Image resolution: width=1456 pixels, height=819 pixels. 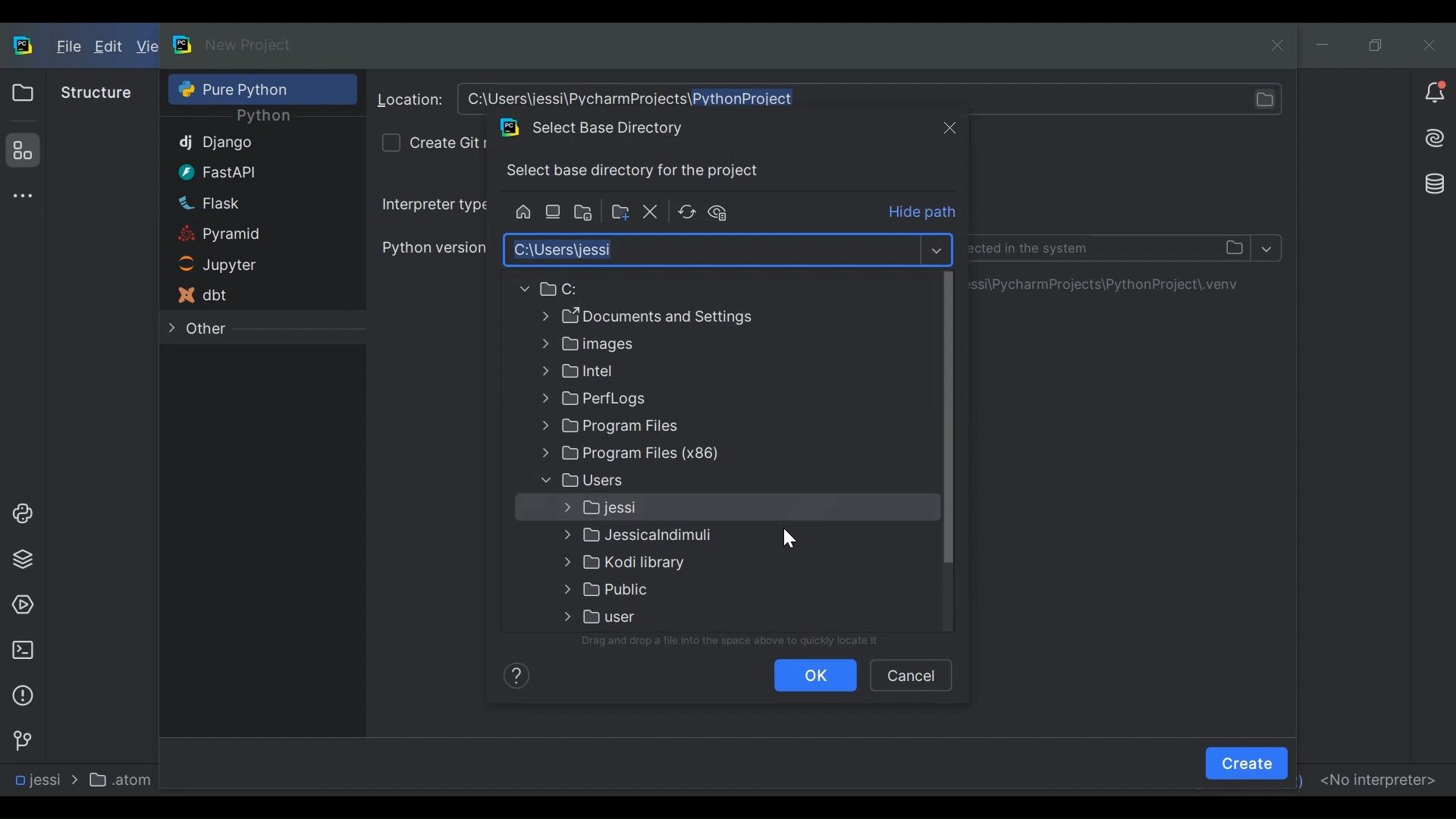 What do you see at coordinates (96, 93) in the screenshot?
I see `Structure` at bounding box center [96, 93].